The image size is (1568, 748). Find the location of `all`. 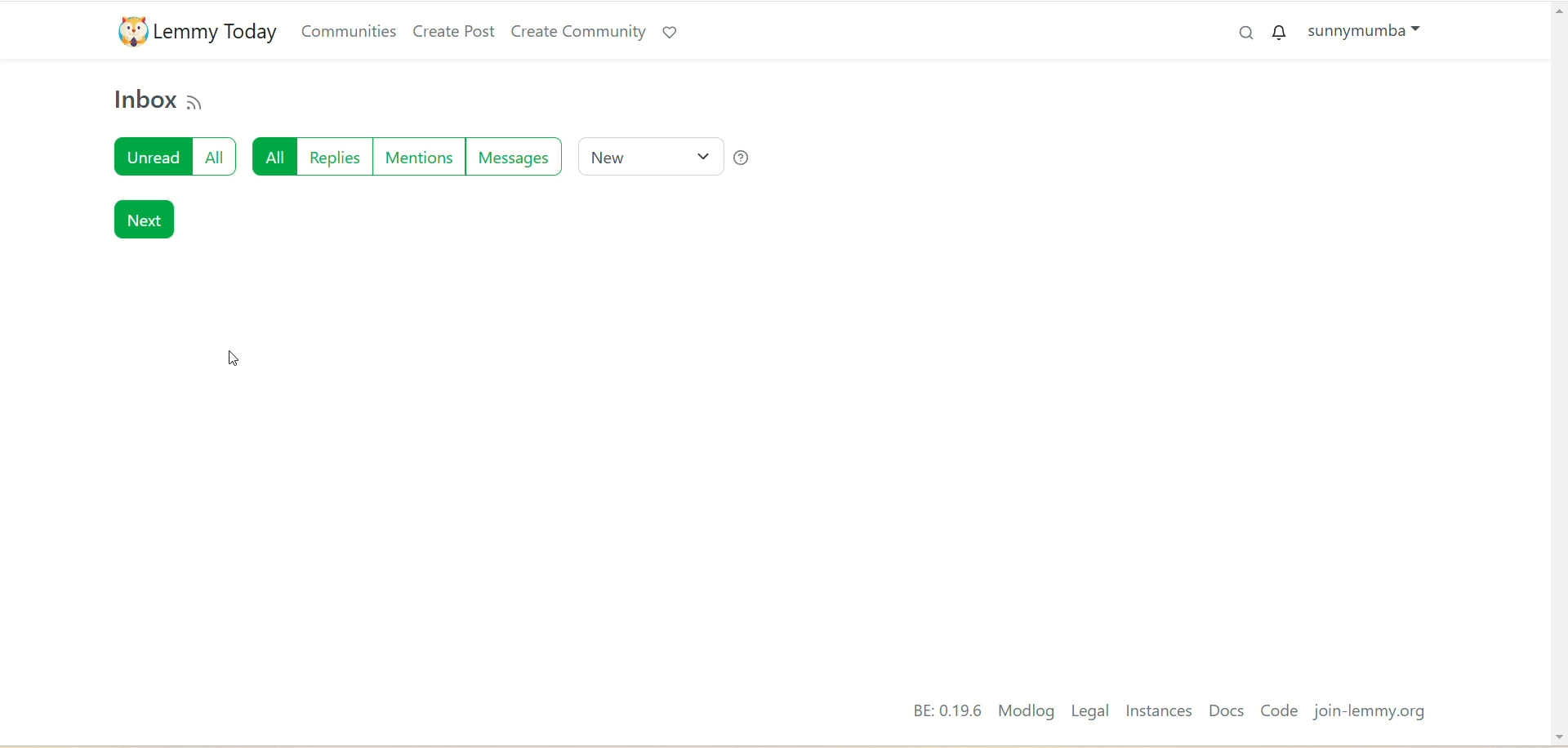

all is located at coordinates (273, 160).